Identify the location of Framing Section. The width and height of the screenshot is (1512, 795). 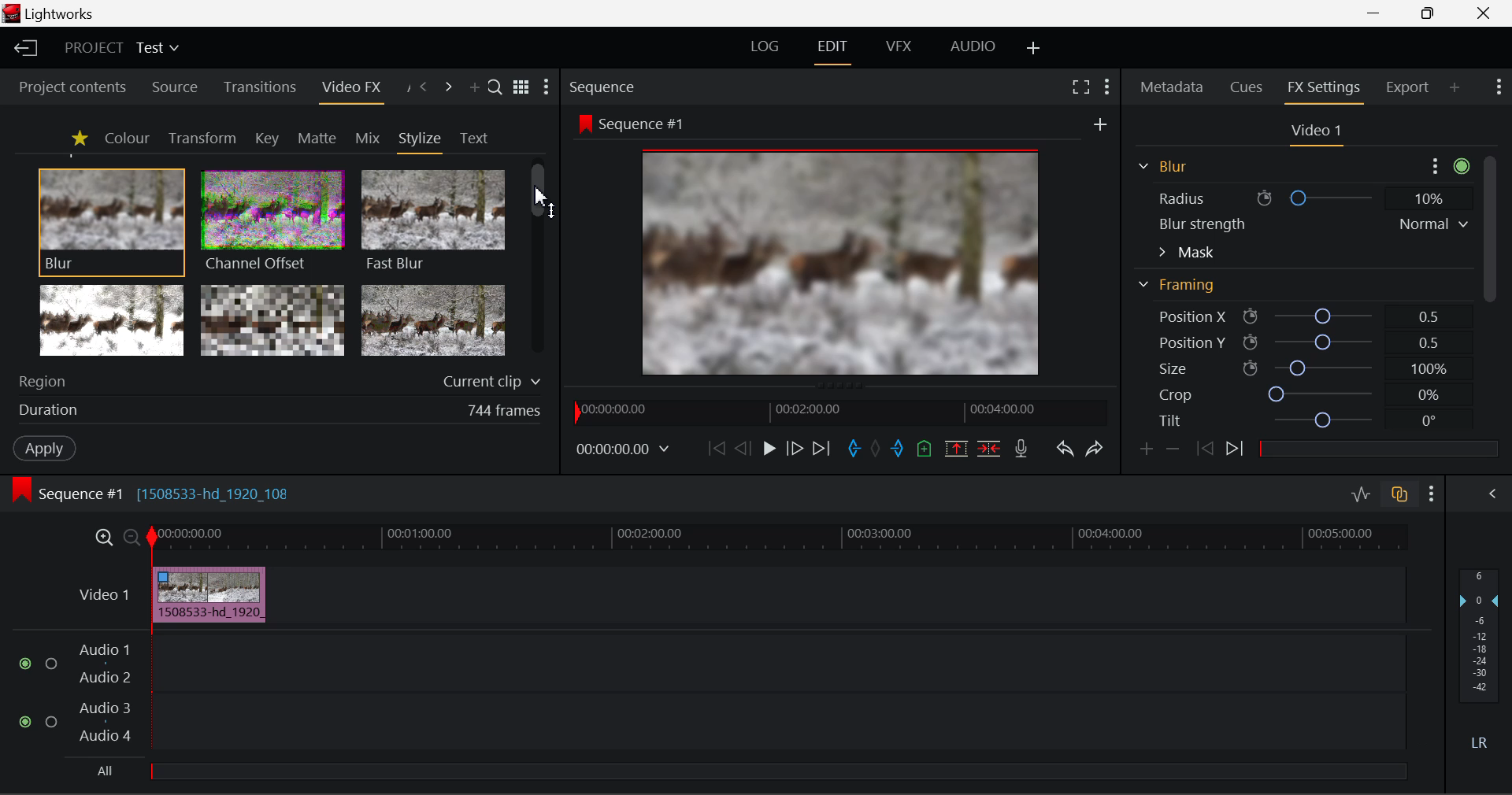
(1182, 290).